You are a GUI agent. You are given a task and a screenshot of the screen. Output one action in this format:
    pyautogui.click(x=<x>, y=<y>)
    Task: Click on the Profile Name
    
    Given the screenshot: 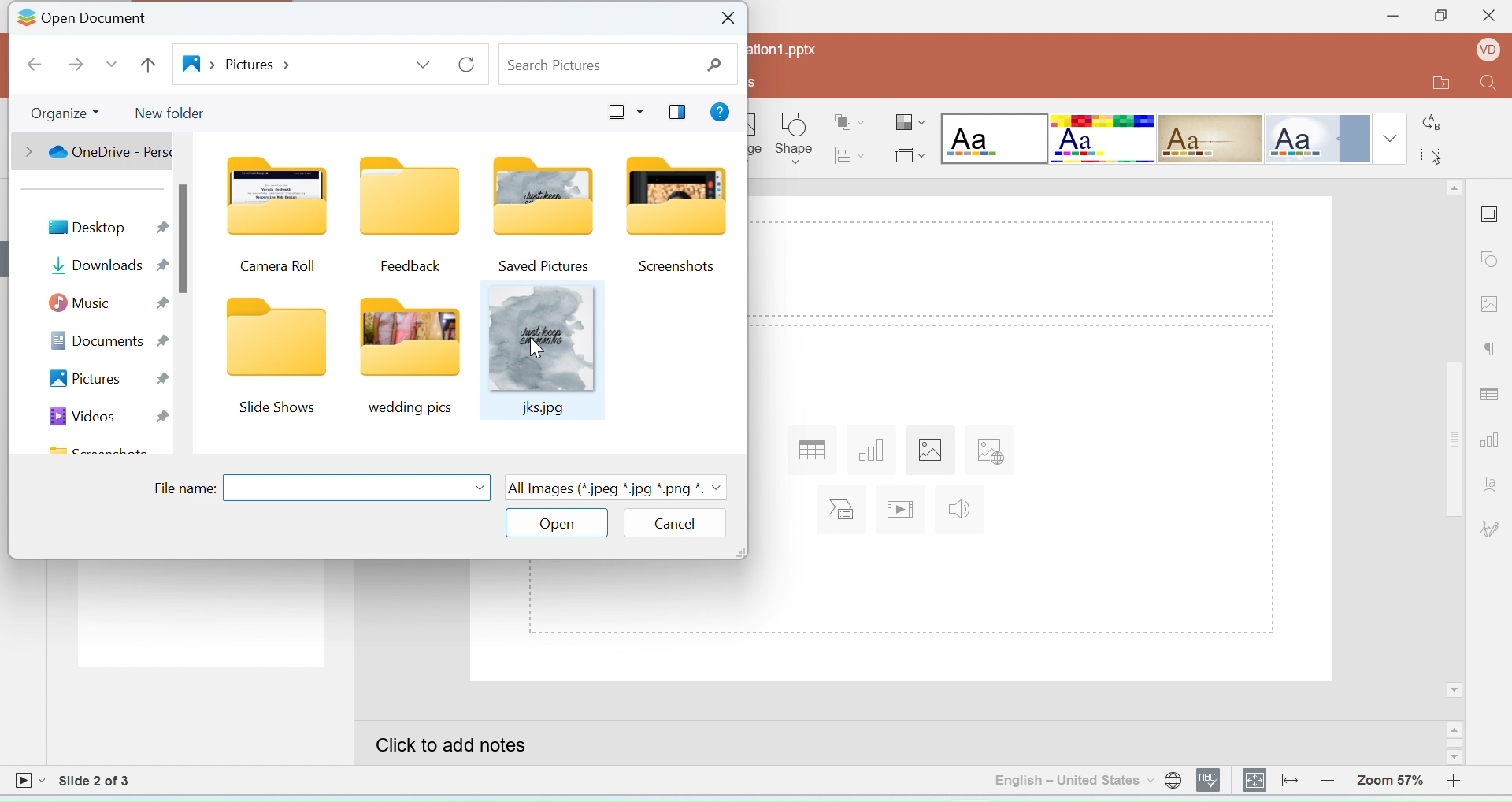 What is the action you would take?
    pyautogui.click(x=1484, y=52)
    